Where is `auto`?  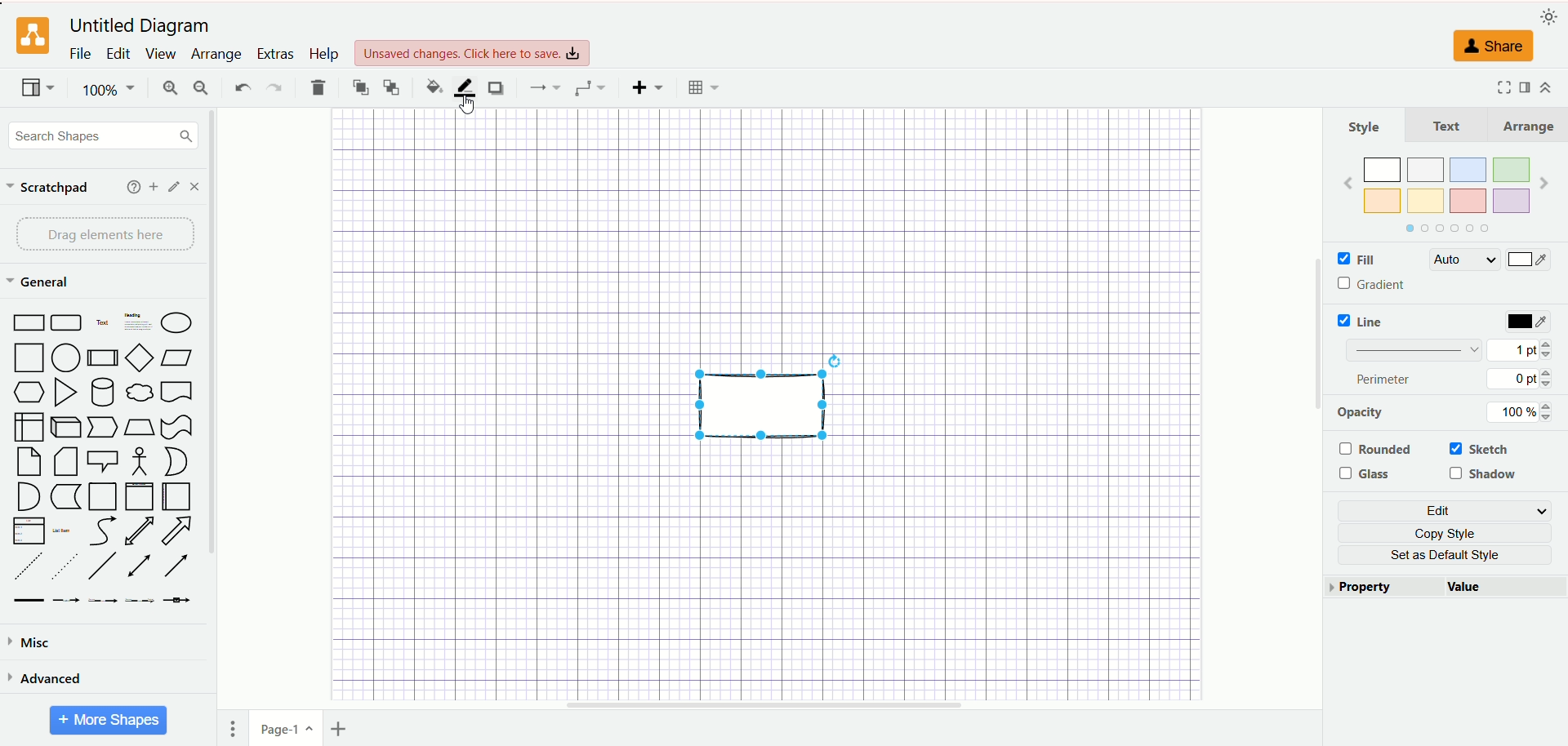 auto is located at coordinates (1459, 258).